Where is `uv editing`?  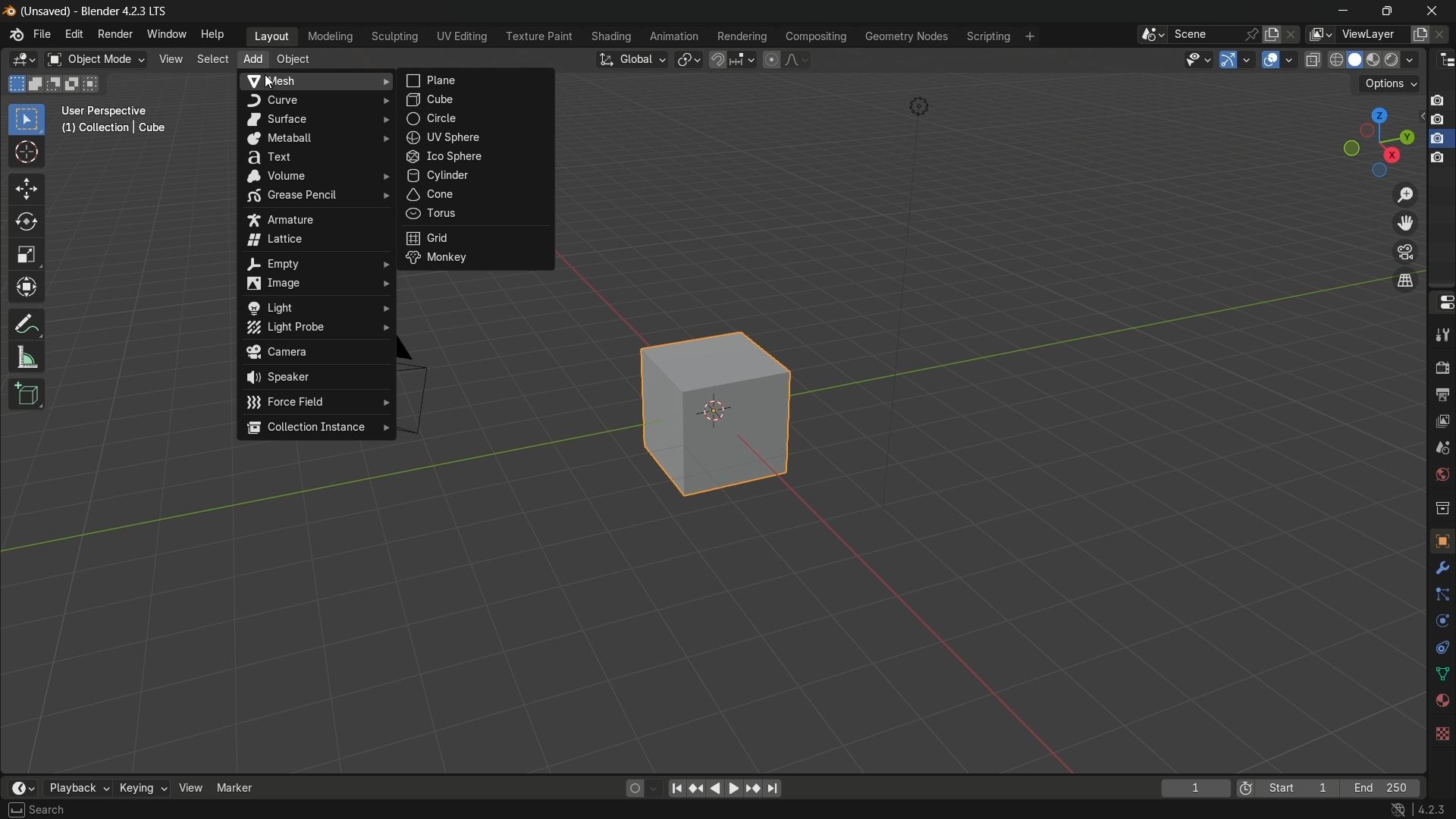 uv editing is located at coordinates (461, 36).